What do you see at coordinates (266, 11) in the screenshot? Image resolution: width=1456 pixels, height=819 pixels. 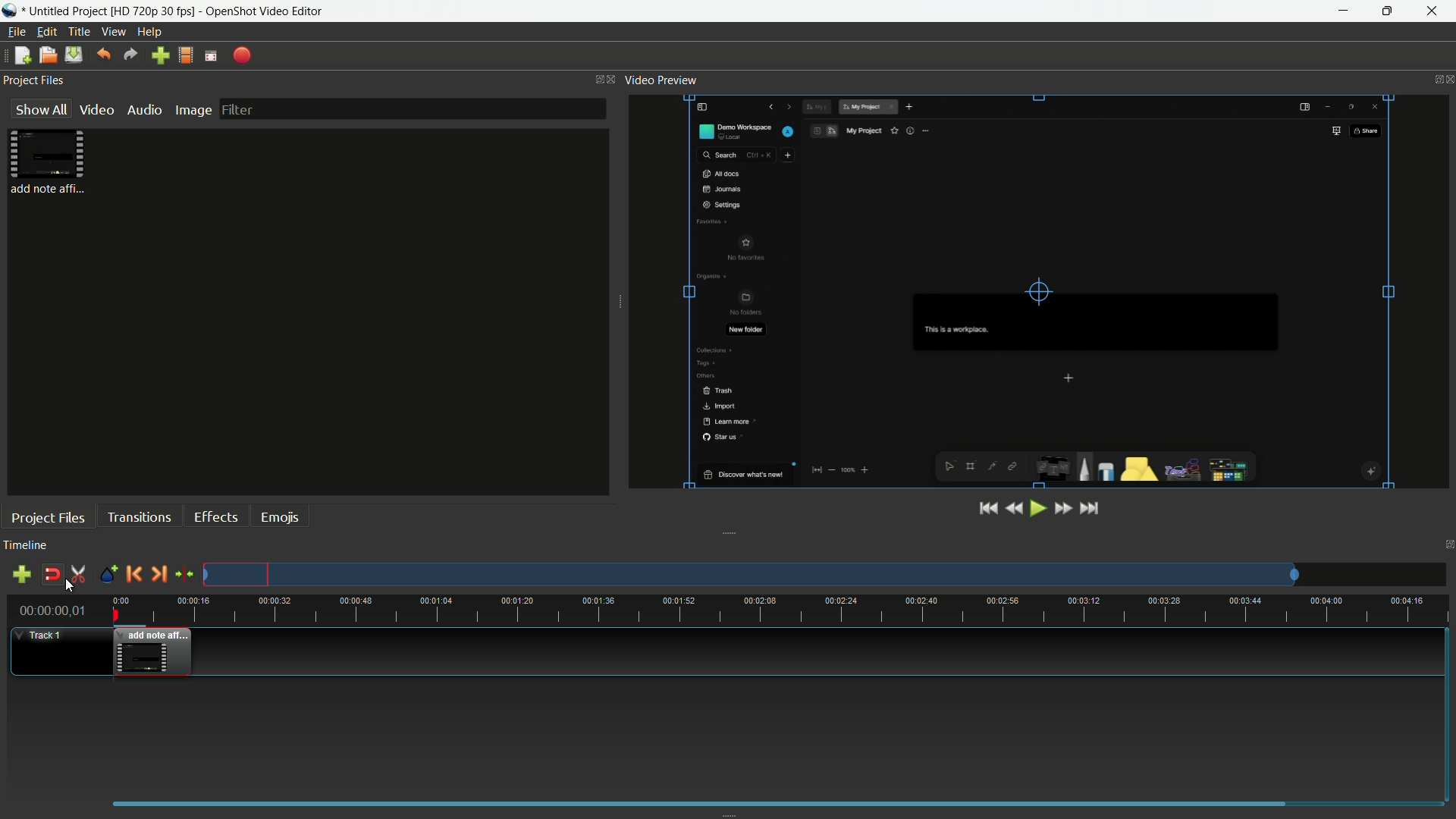 I see `app name` at bounding box center [266, 11].